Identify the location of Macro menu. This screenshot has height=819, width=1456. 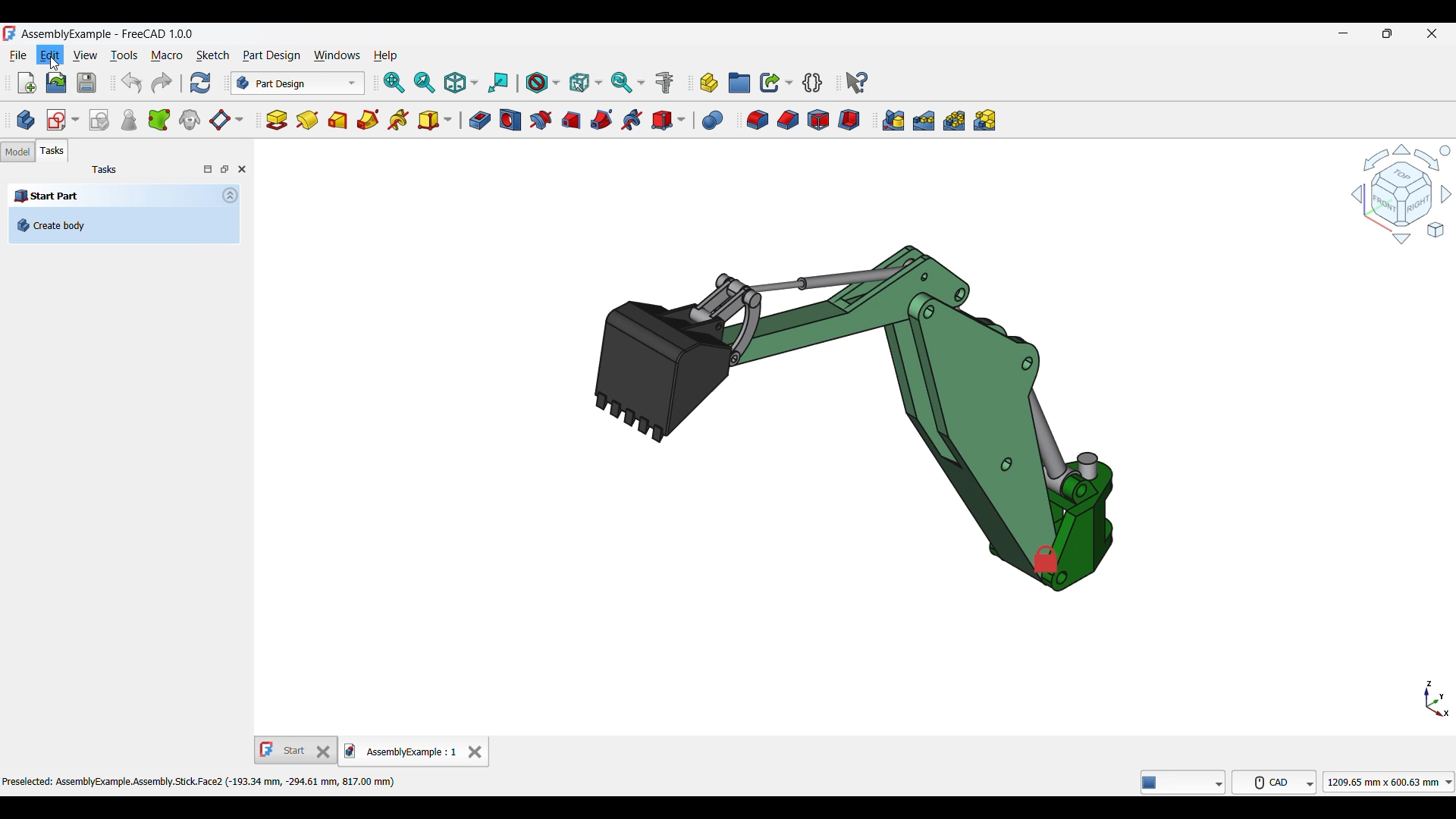
(166, 56).